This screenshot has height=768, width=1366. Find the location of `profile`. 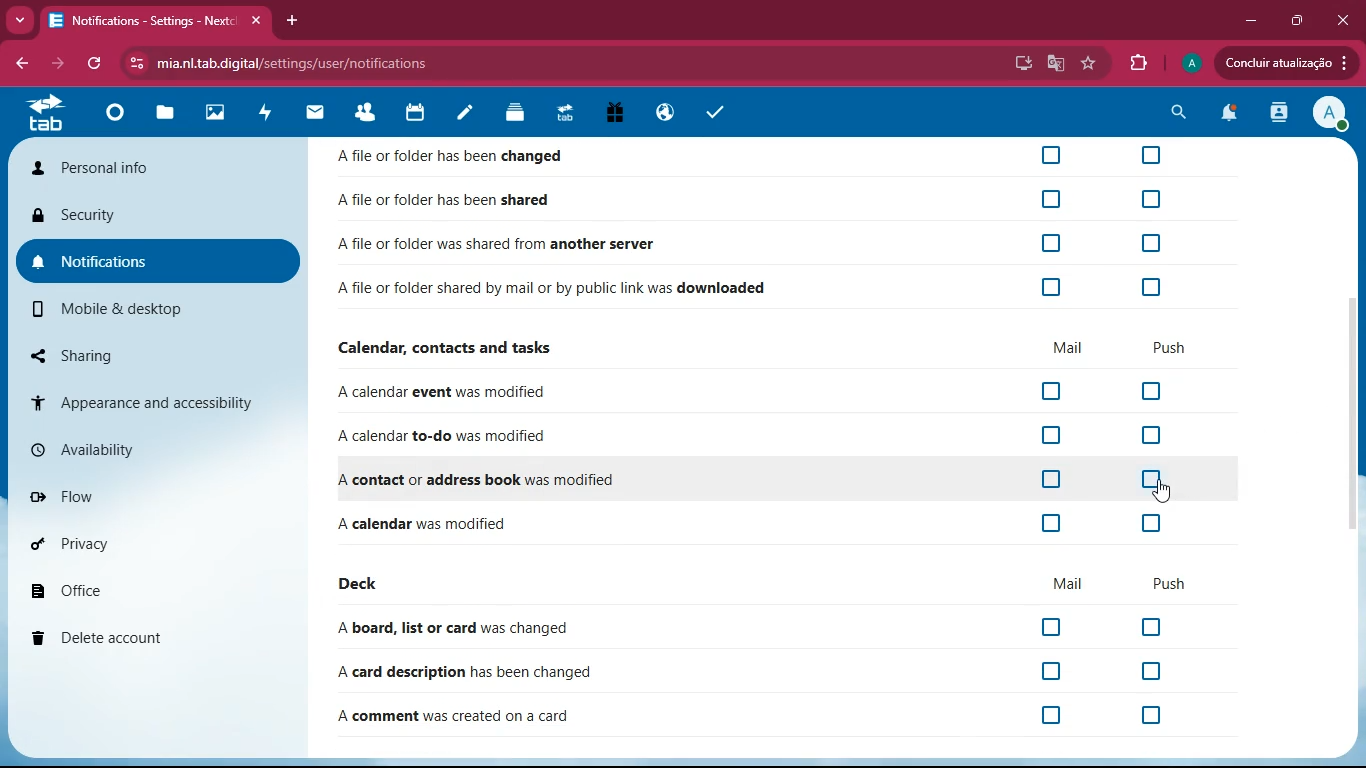

profile is located at coordinates (1192, 63).